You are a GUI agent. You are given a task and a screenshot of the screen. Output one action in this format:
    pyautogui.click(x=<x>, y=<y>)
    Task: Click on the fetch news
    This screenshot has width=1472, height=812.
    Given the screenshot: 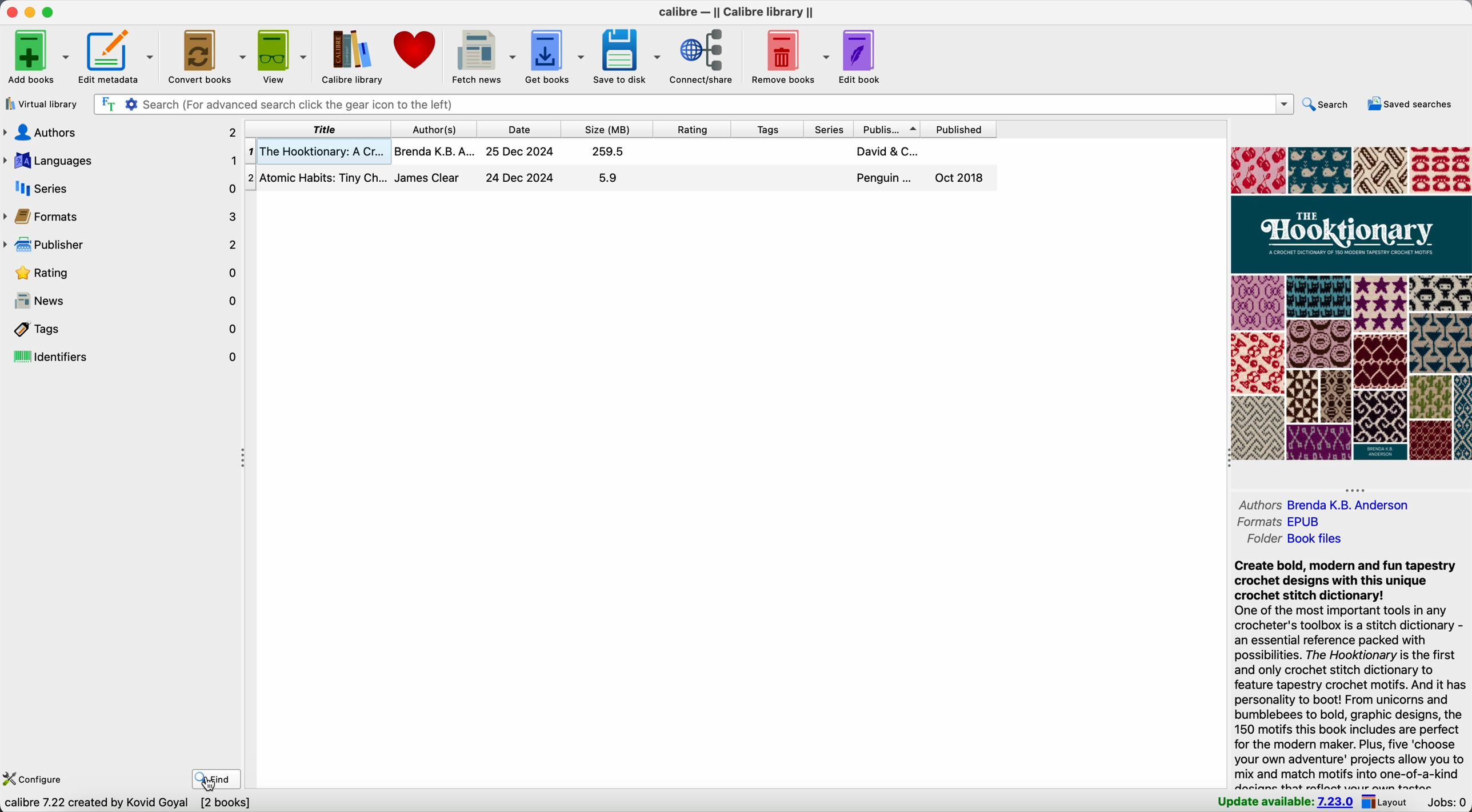 What is the action you would take?
    pyautogui.click(x=481, y=59)
    